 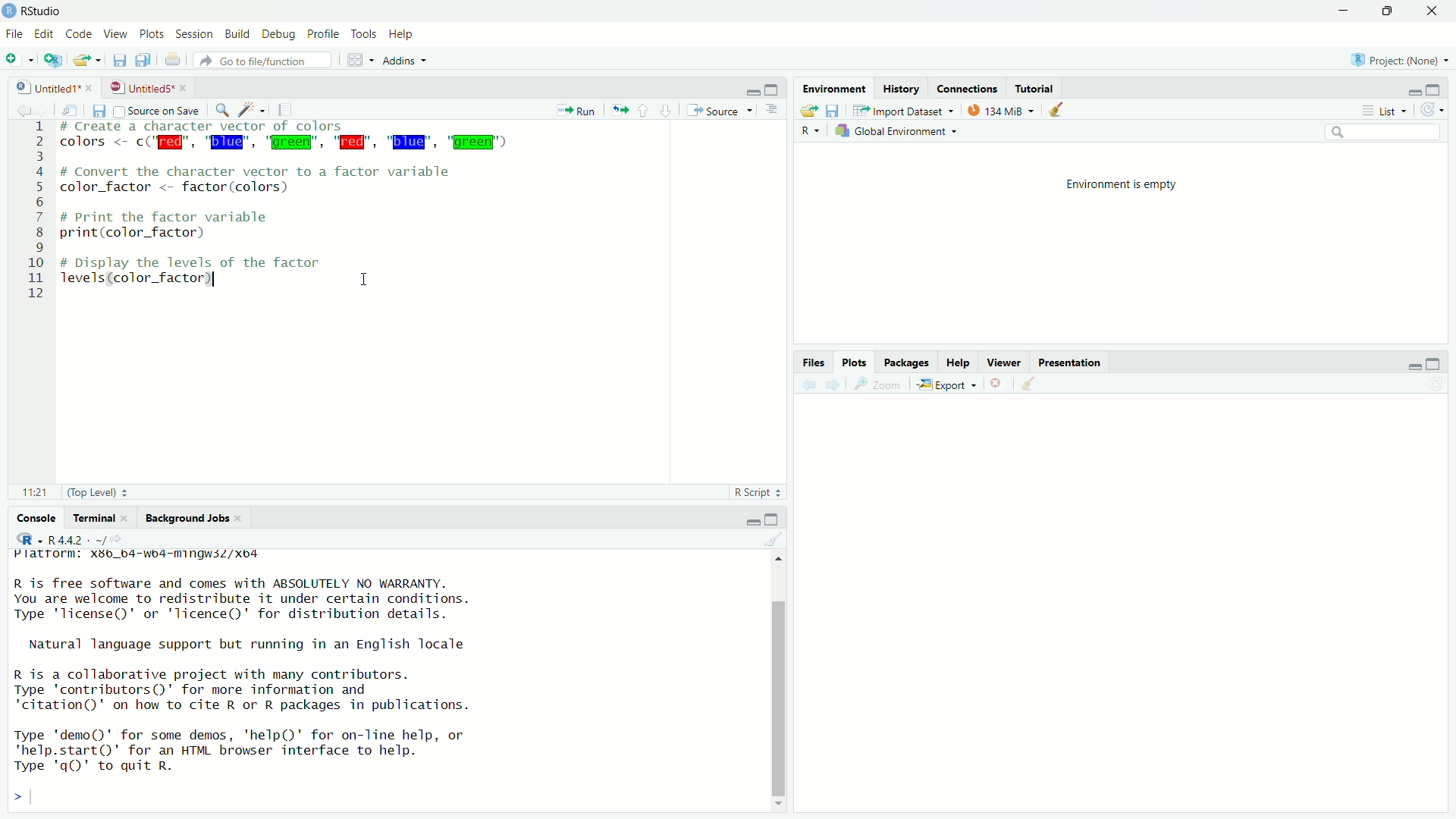 What do you see at coordinates (810, 132) in the screenshot?
I see `select language` at bounding box center [810, 132].